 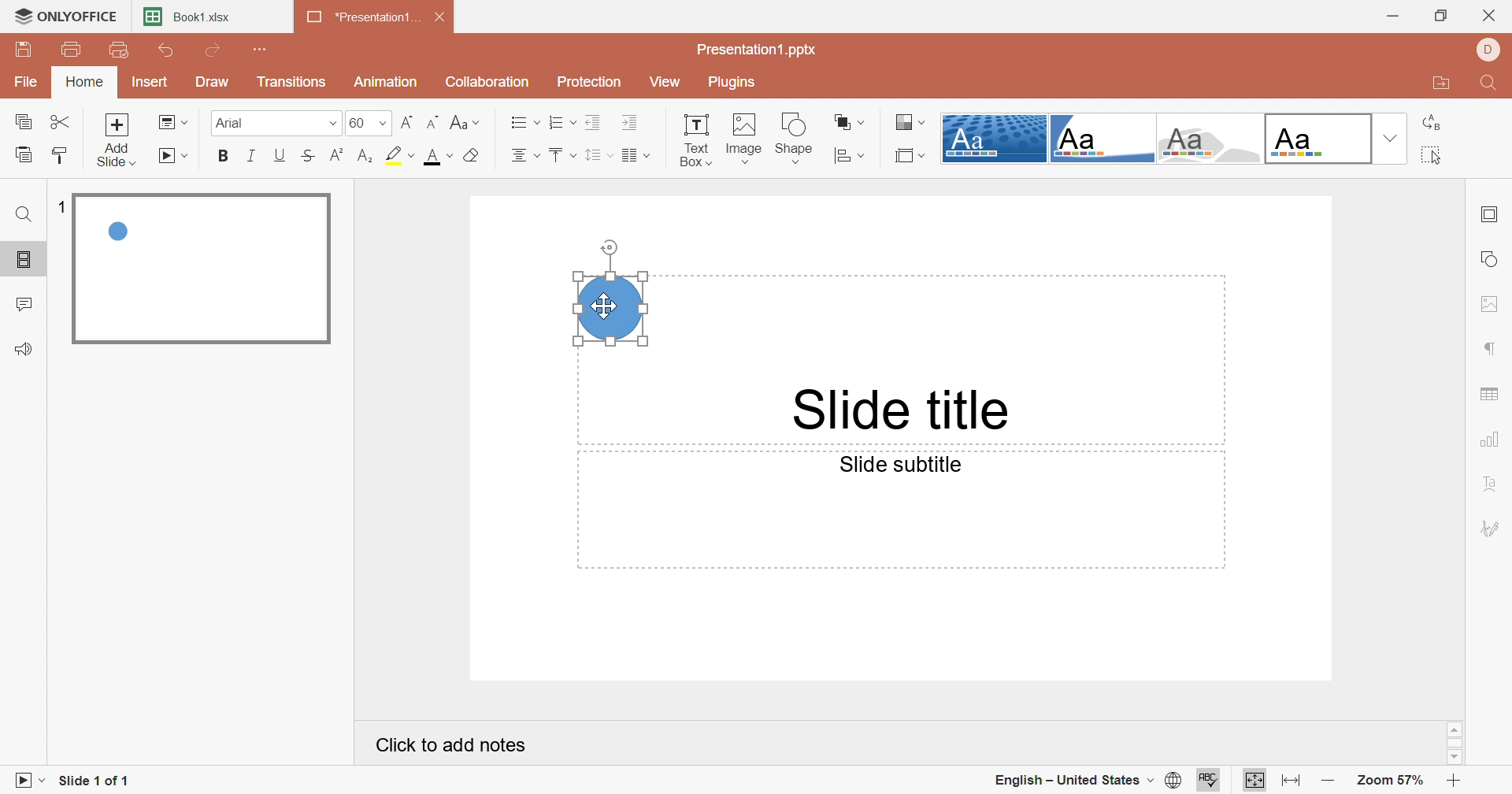 I want to click on Dotted, so click(x=993, y=139).